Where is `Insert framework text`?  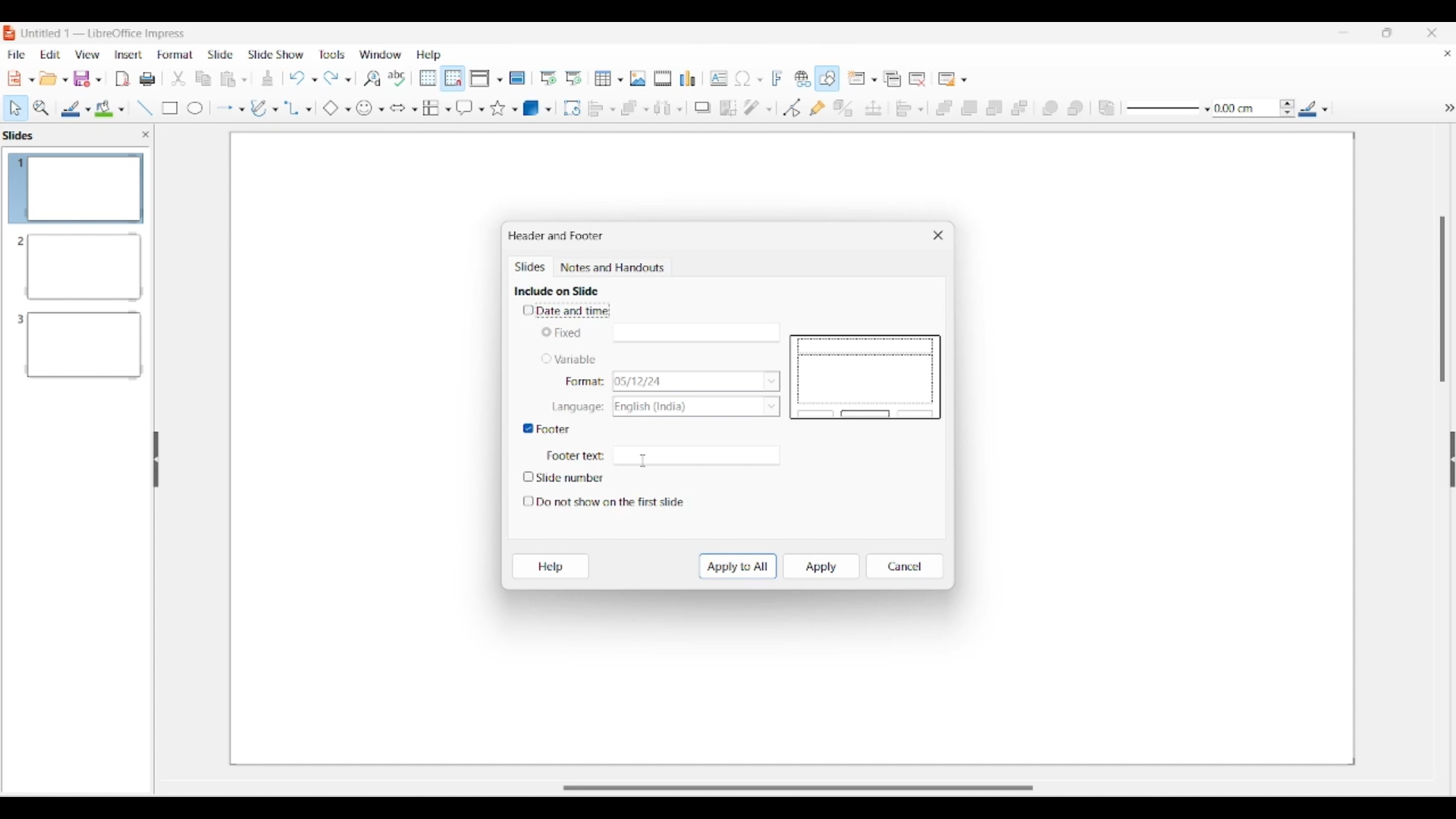
Insert framework text is located at coordinates (777, 78).